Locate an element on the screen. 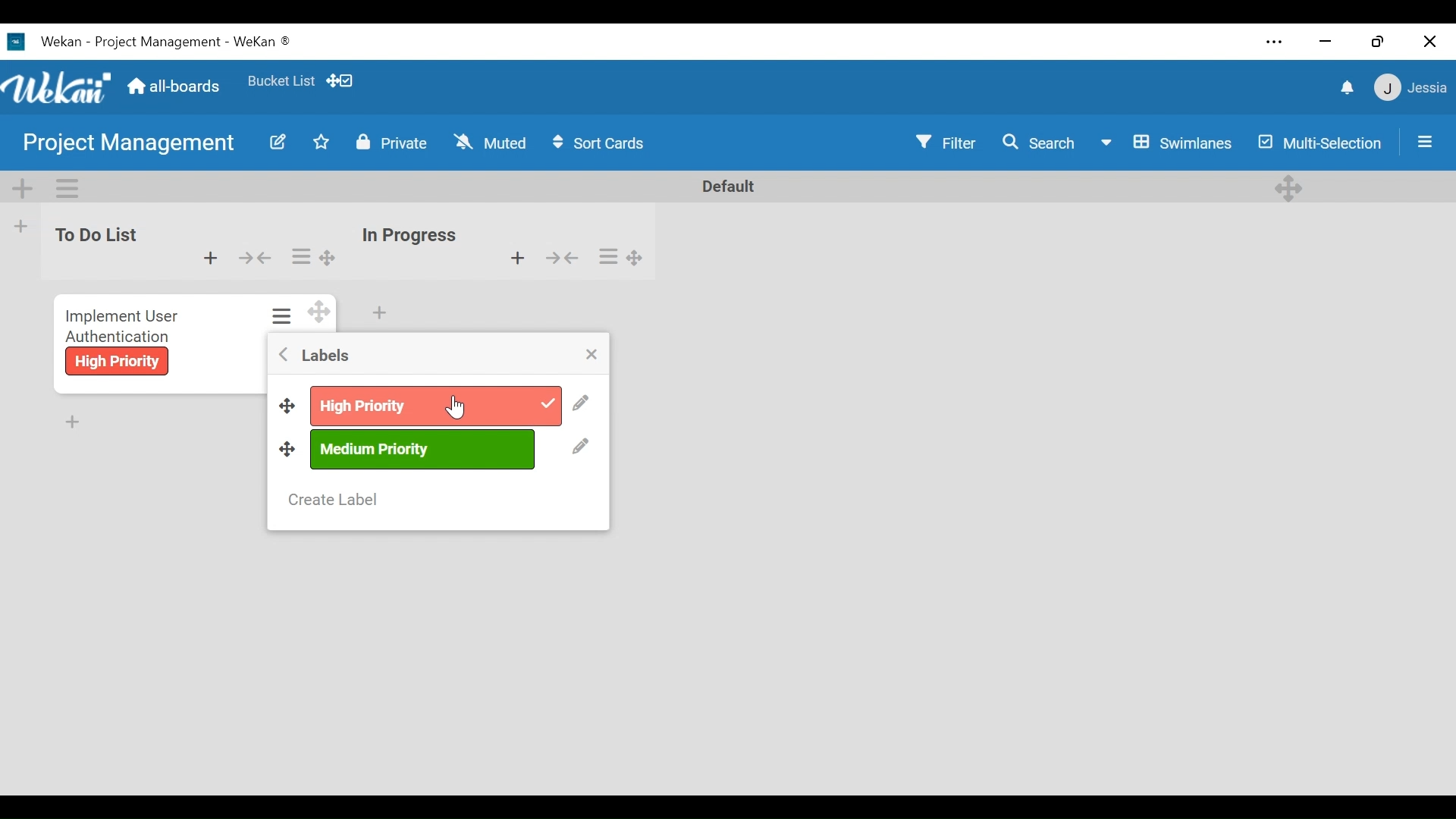 The image size is (1456, 819). Home (all-boards) is located at coordinates (176, 88).